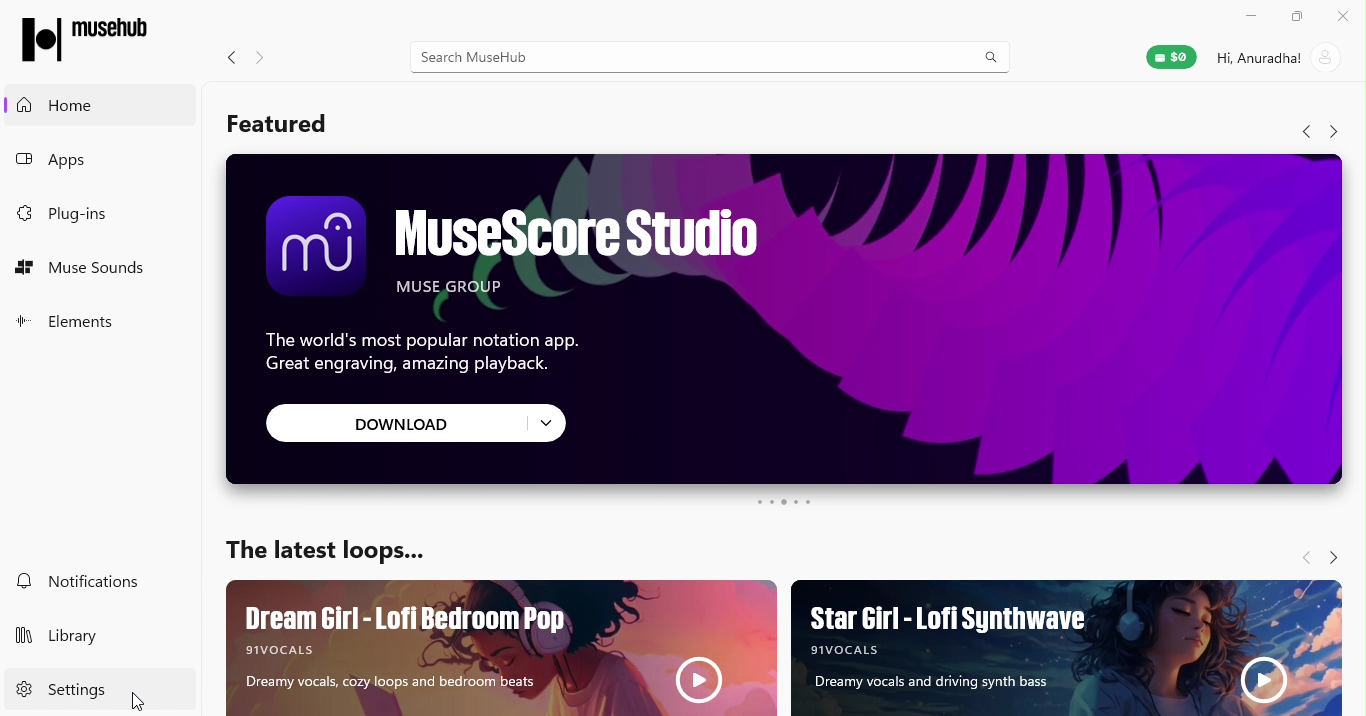 Image resolution: width=1366 pixels, height=716 pixels. What do you see at coordinates (1337, 550) in the screenshot?
I see `Navigate forward` at bounding box center [1337, 550].